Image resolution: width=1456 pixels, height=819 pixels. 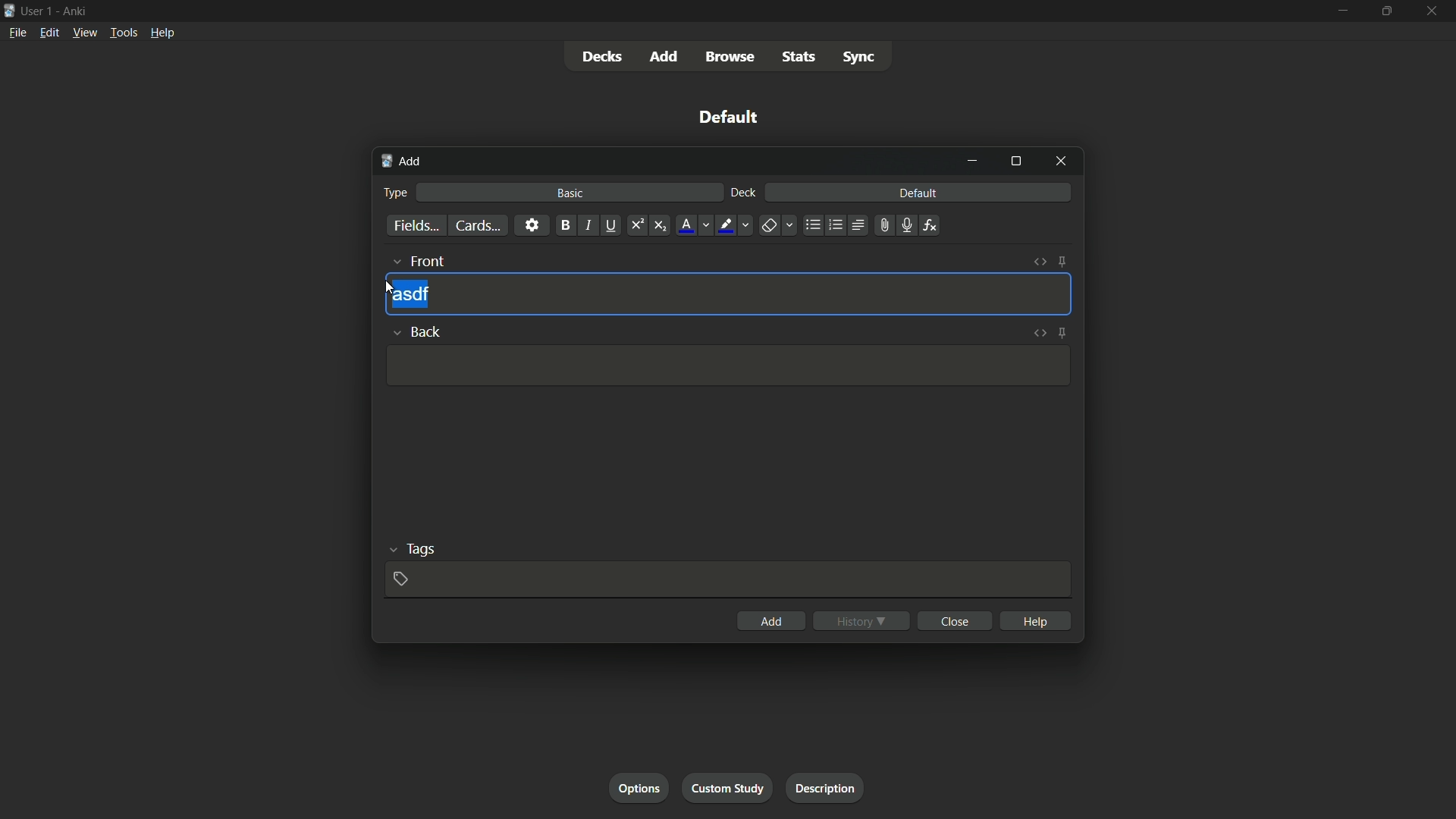 What do you see at coordinates (955, 620) in the screenshot?
I see `close` at bounding box center [955, 620].